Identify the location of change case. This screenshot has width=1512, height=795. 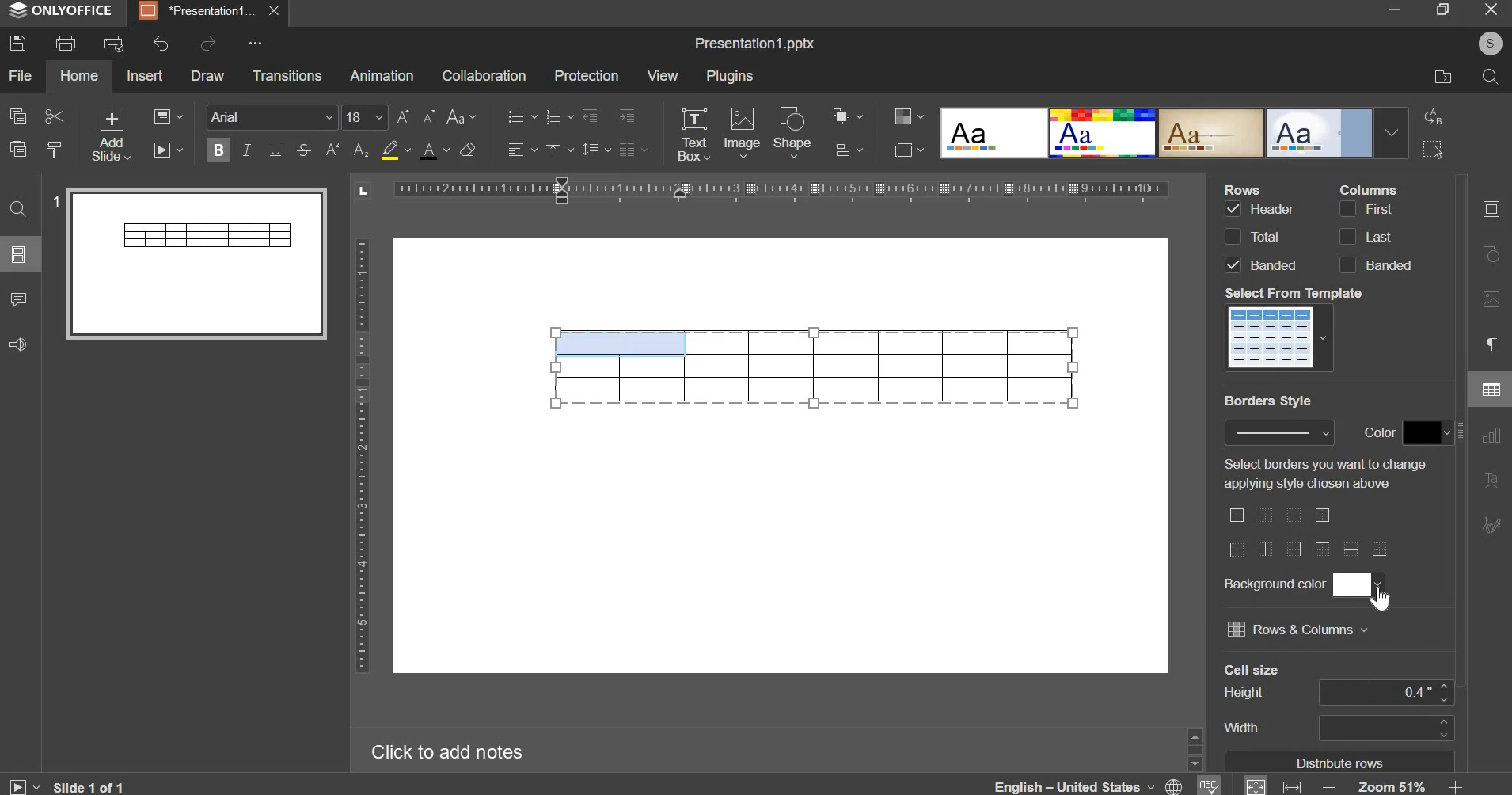
(461, 117).